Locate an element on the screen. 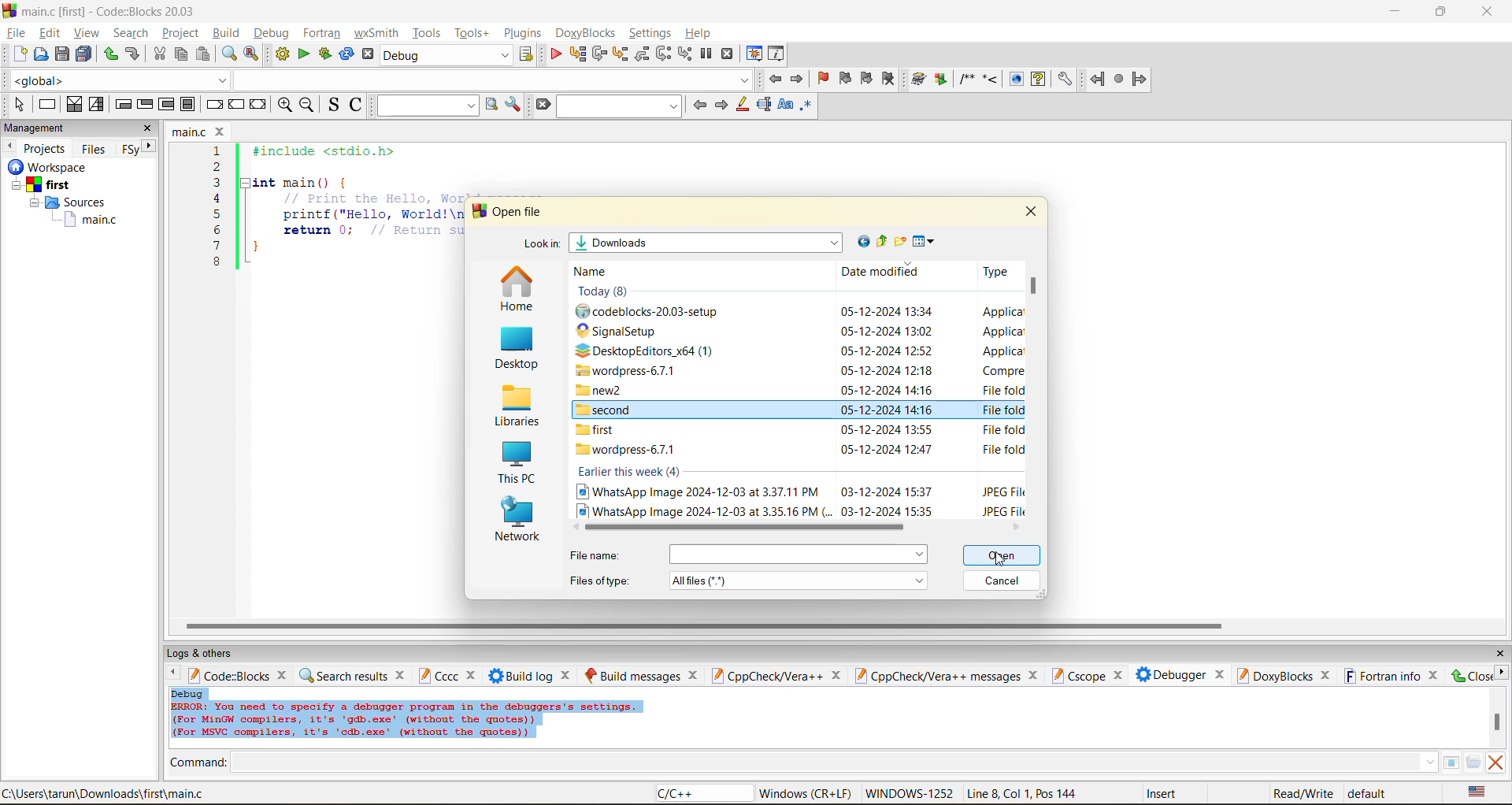 This screenshot has width=1512, height=805. cscope is located at coordinates (1077, 674).